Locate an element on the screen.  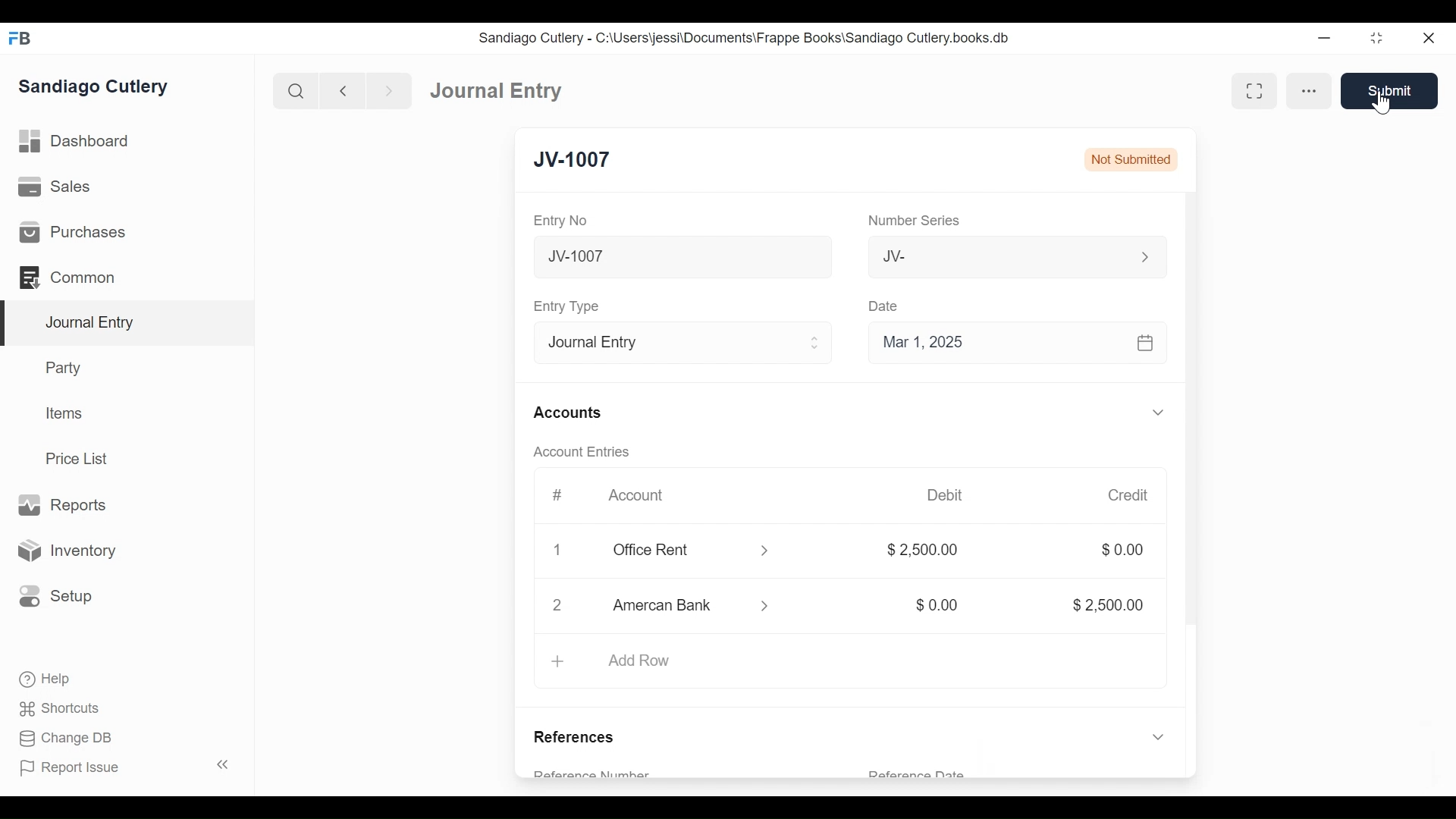
scrollbar is located at coordinates (1190, 426).